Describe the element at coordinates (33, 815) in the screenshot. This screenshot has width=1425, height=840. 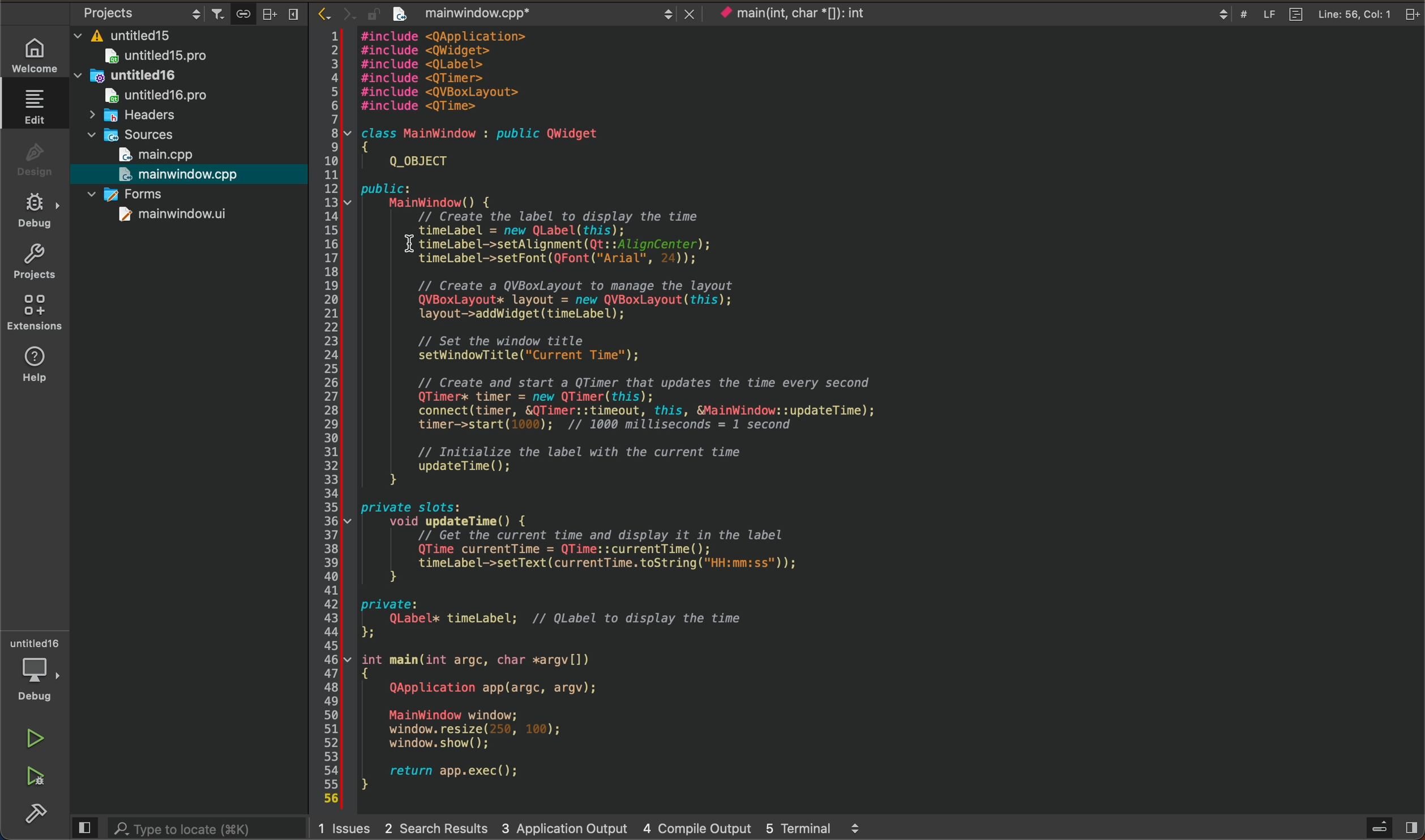
I see `build` at that location.